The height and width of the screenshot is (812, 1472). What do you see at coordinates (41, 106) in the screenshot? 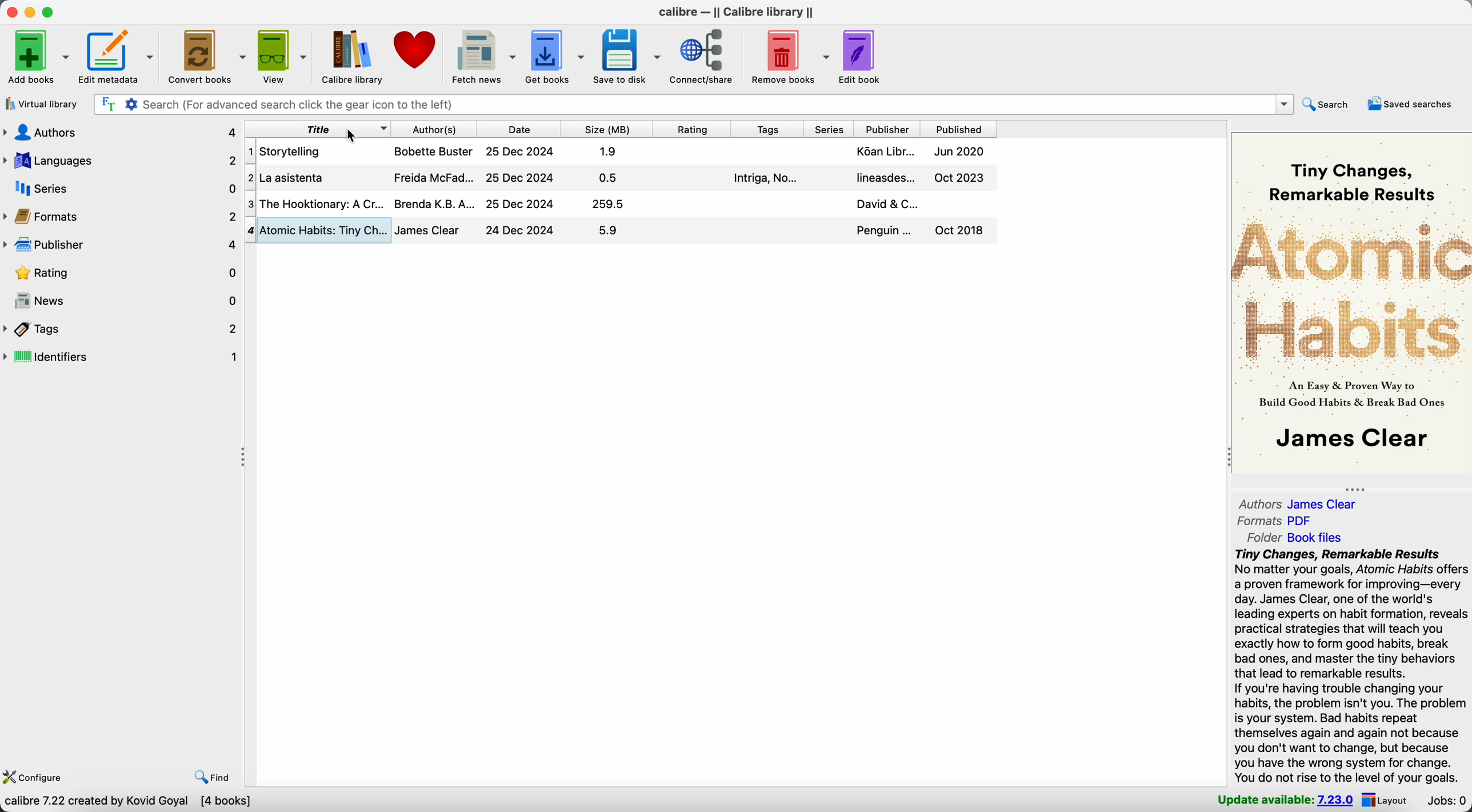
I see `virtual library` at bounding box center [41, 106].